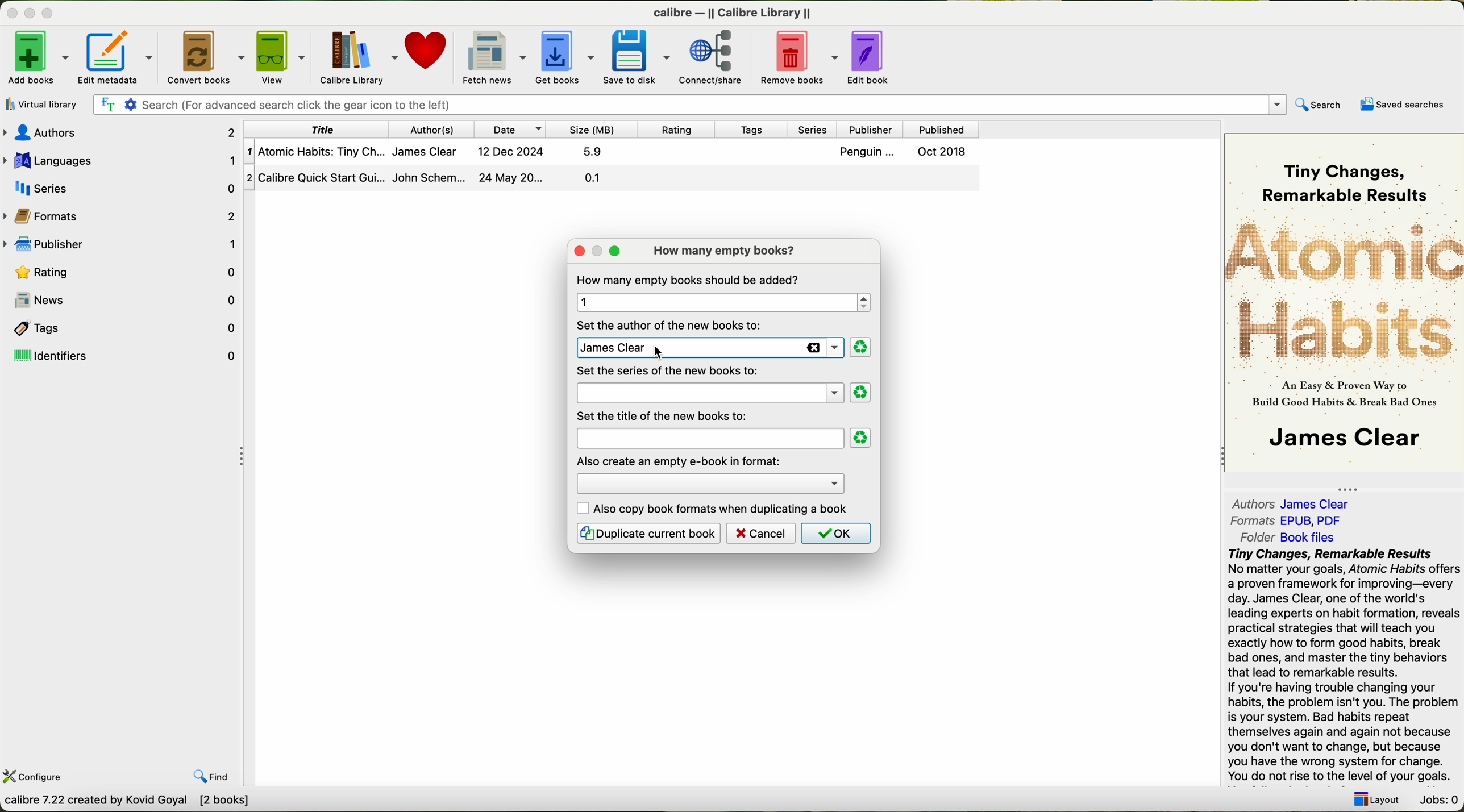 The width and height of the screenshot is (1464, 812). Describe the element at coordinates (761, 533) in the screenshot. I see `cancel button` at that location.